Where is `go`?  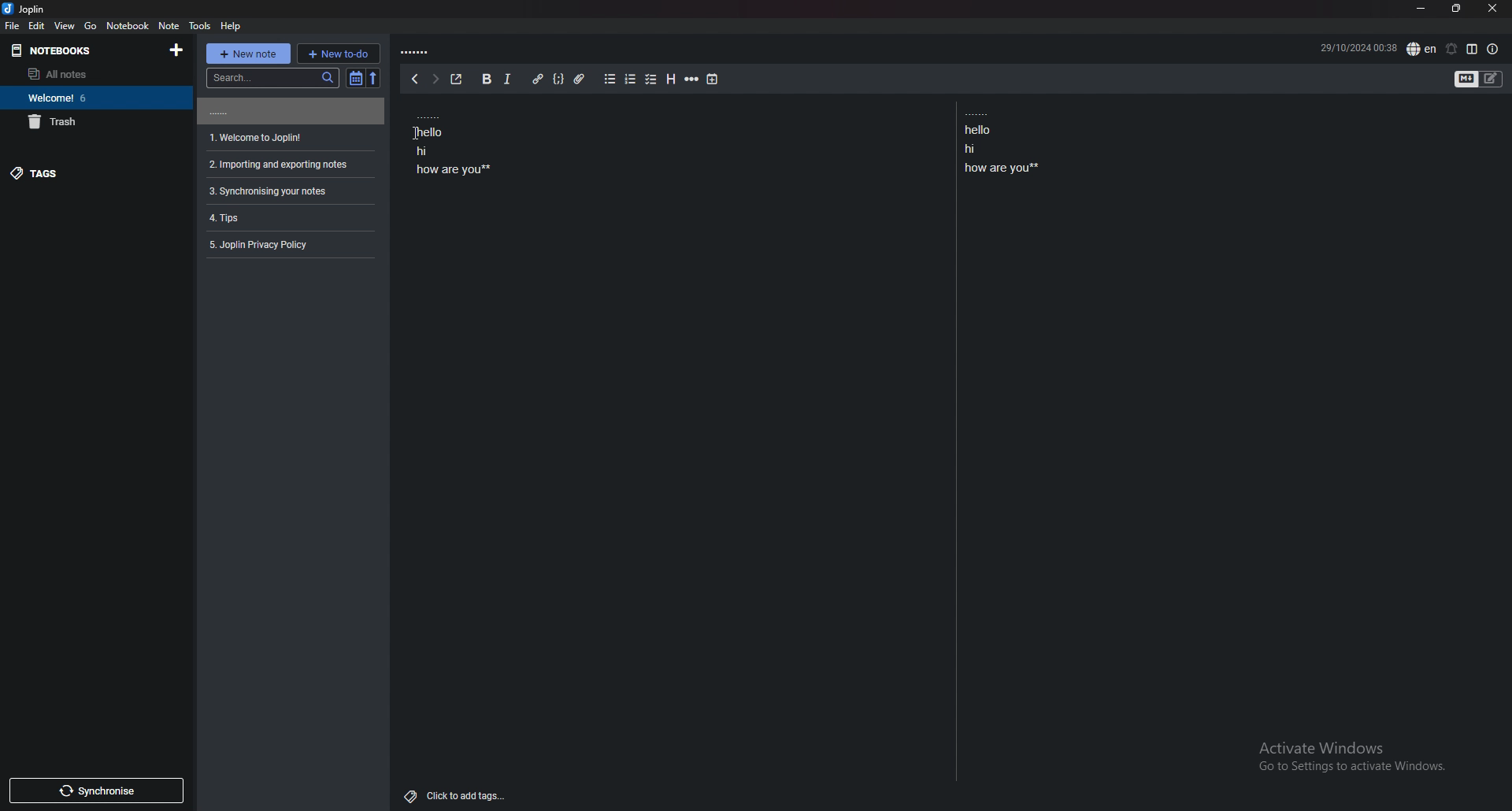 go is located at coordinates (91, 25).